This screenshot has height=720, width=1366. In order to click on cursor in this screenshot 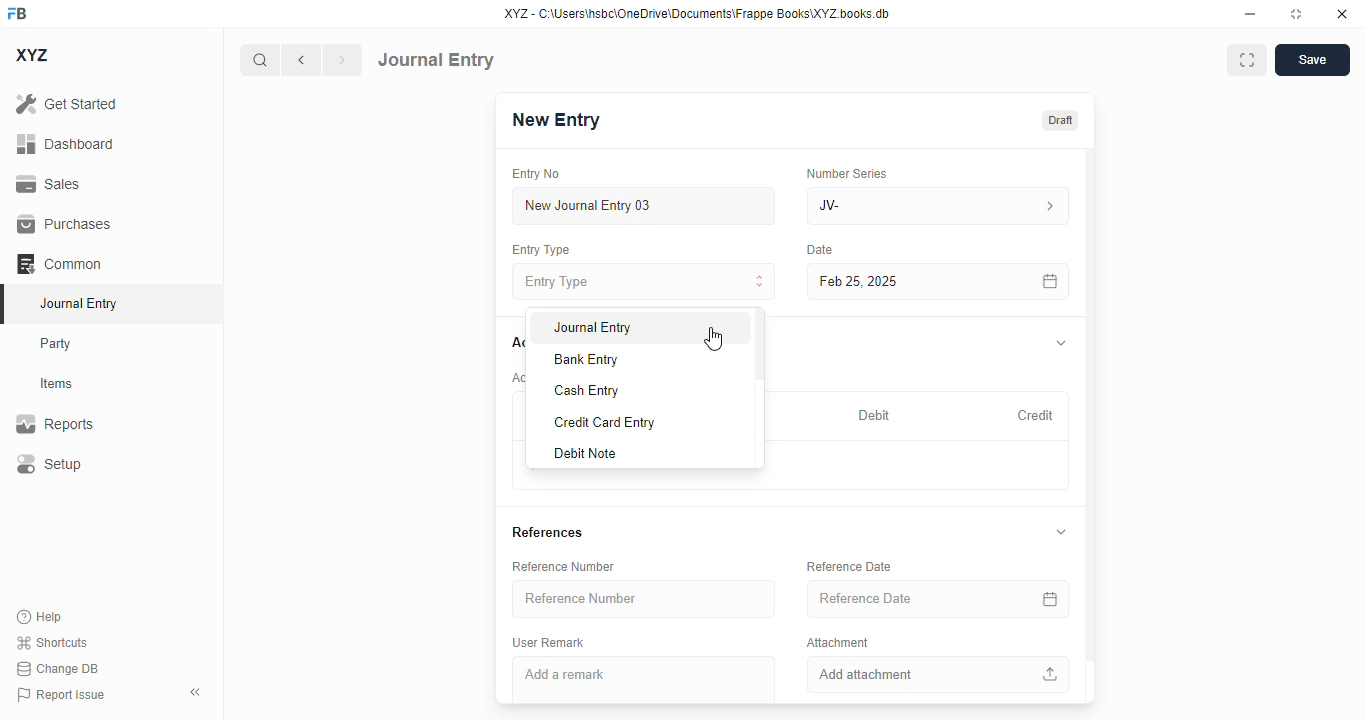, I will do `click(712, 338)`.